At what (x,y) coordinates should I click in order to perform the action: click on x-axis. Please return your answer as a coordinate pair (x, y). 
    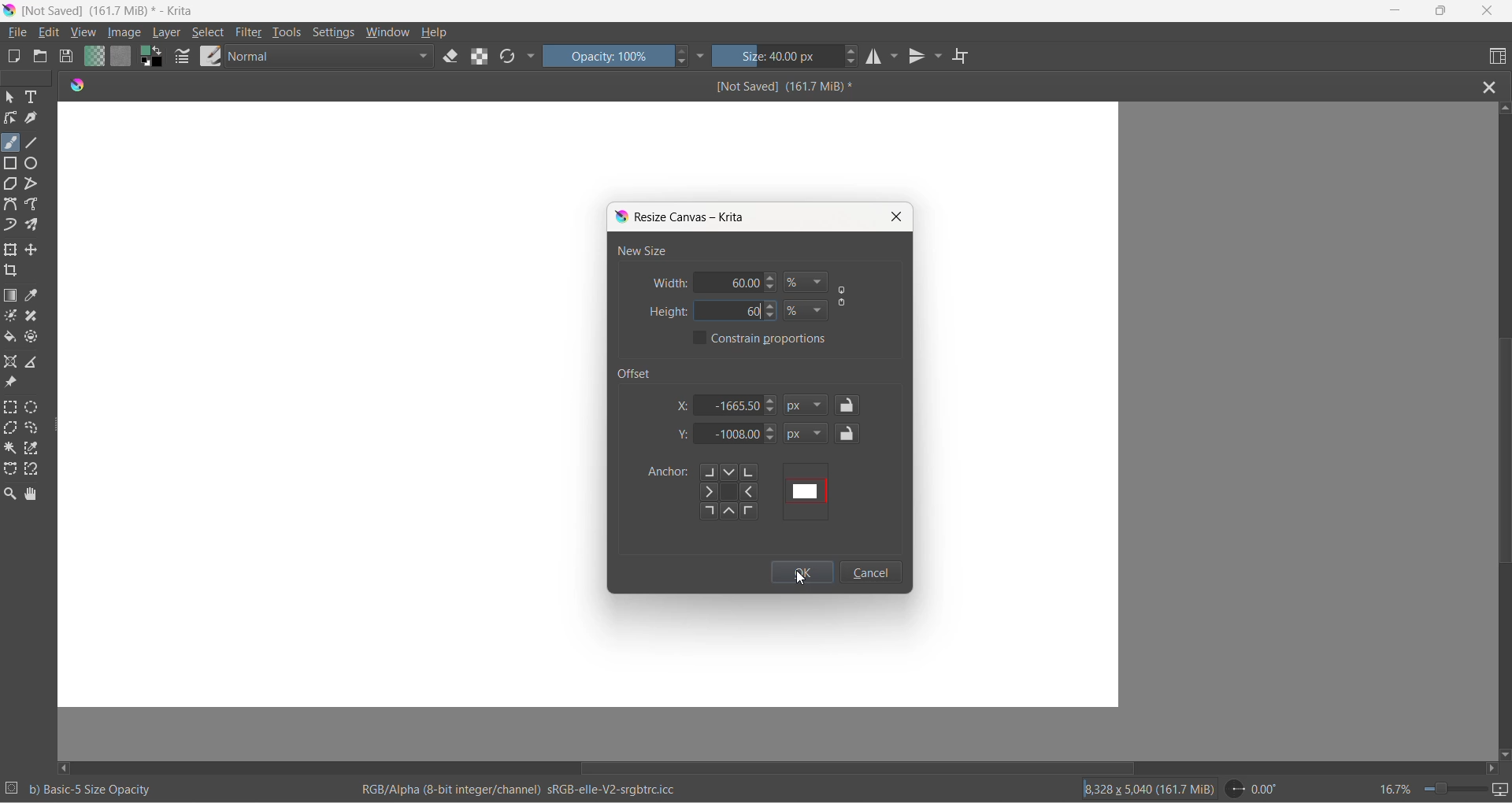
    Looking at the image, I should click on (684, 405).